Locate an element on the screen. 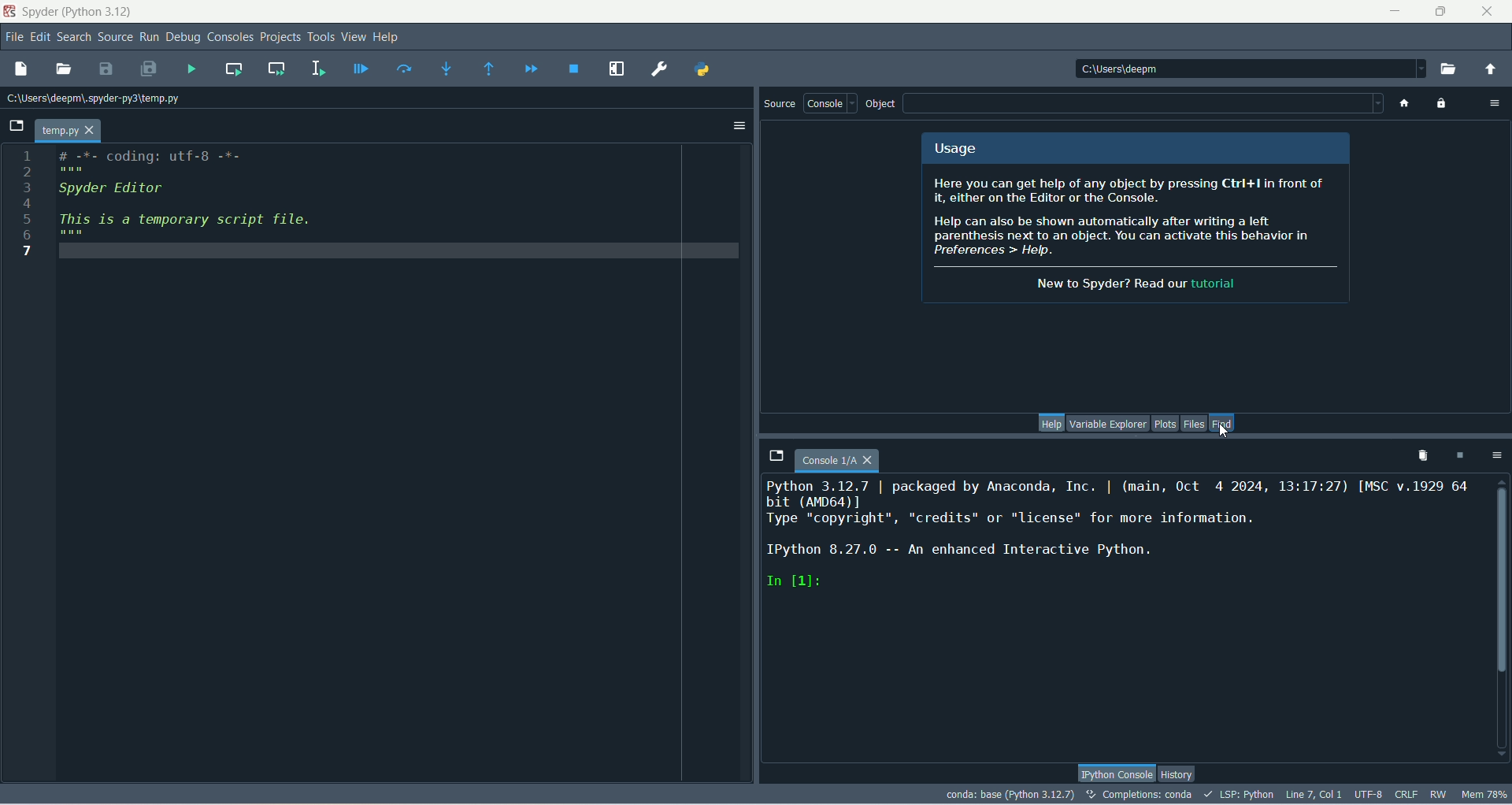  temp.py is located at coordinates (69, 131).